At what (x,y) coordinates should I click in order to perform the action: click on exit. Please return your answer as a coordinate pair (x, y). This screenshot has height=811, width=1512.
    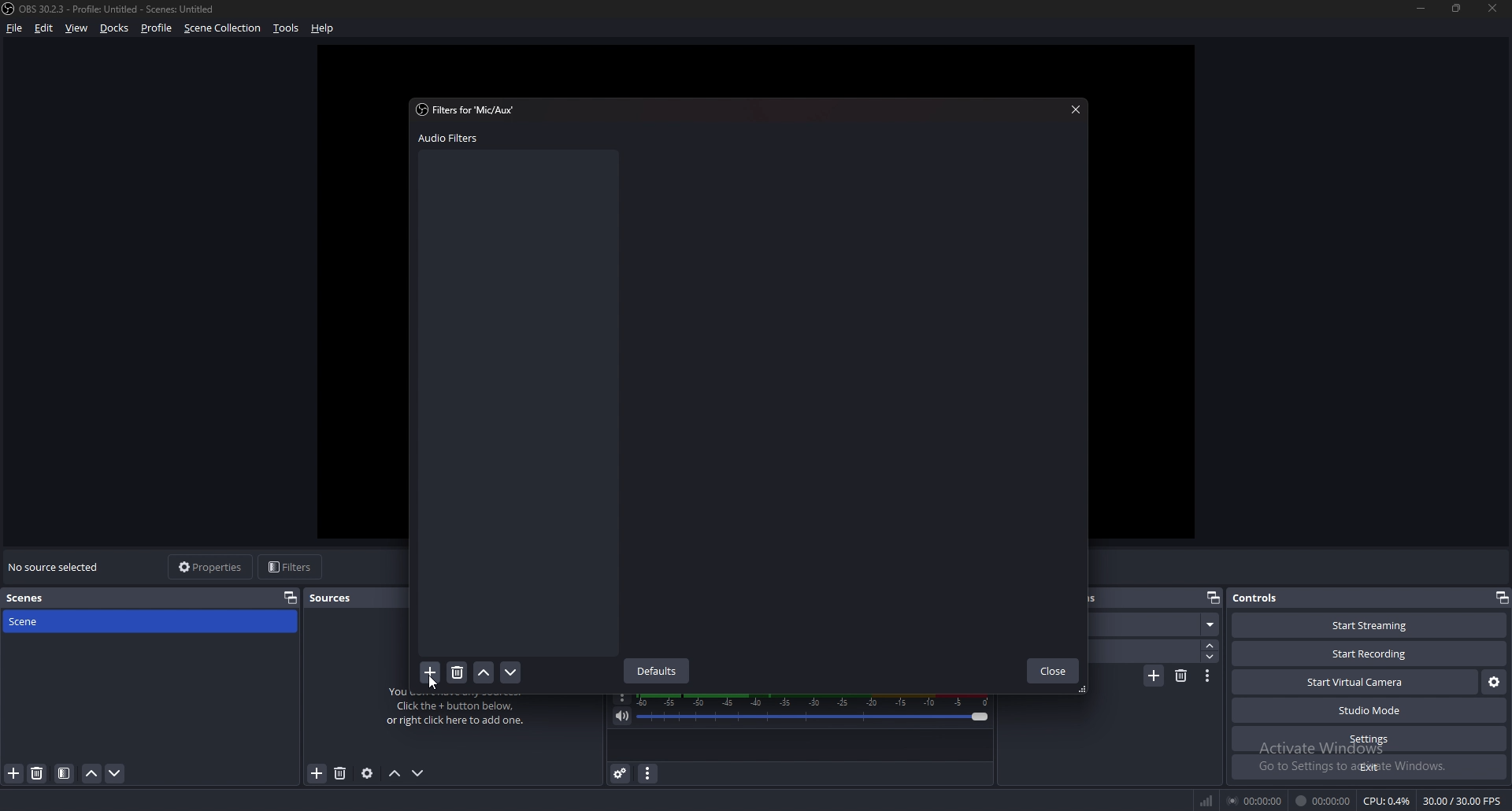
    Looking at the image, I should click on (1368, 768).